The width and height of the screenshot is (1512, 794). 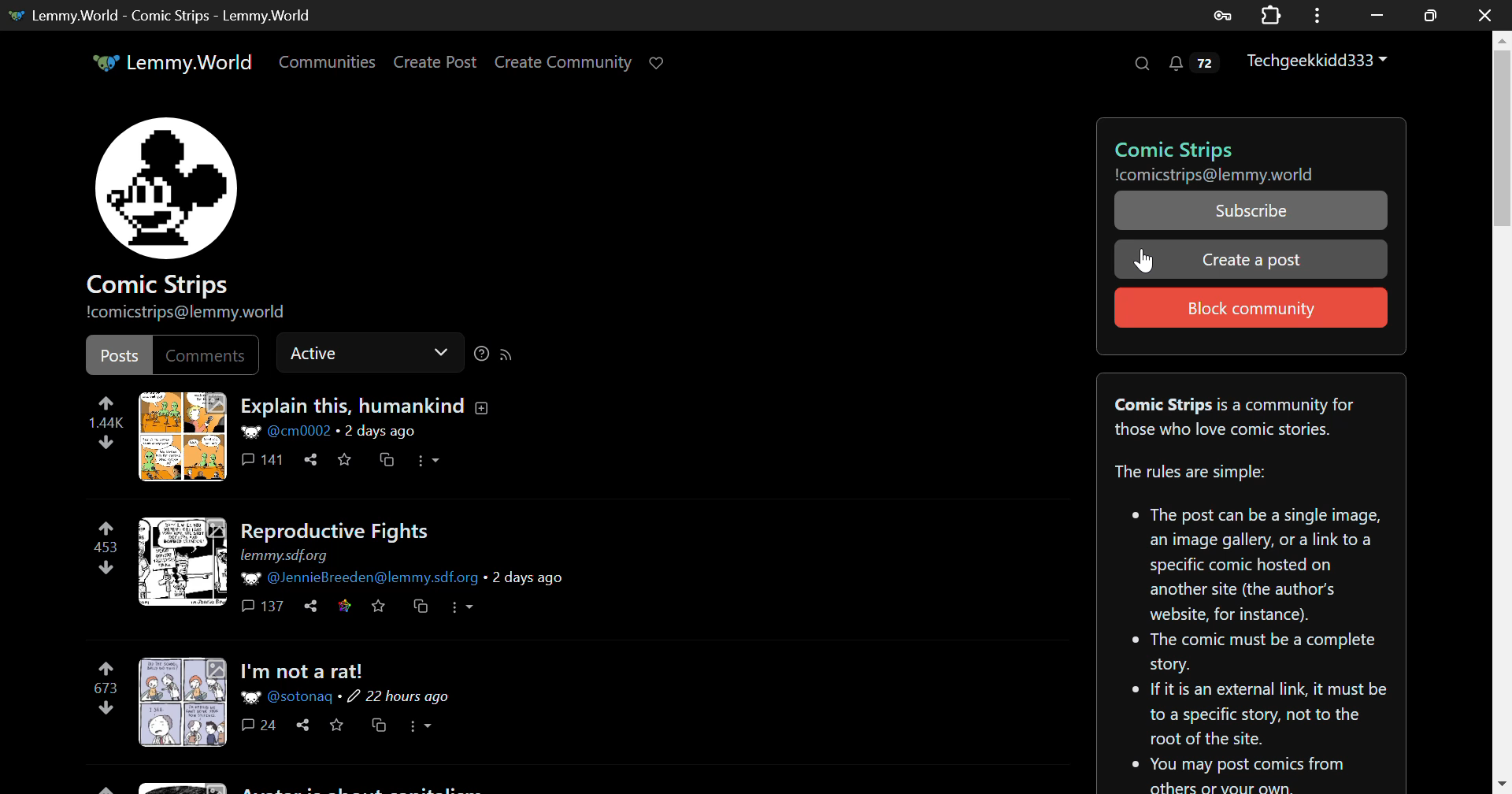 What do you see at coordinates (401, 698) in the screenshot?
I see `22 hours ago` at bounding box center [401, 698].